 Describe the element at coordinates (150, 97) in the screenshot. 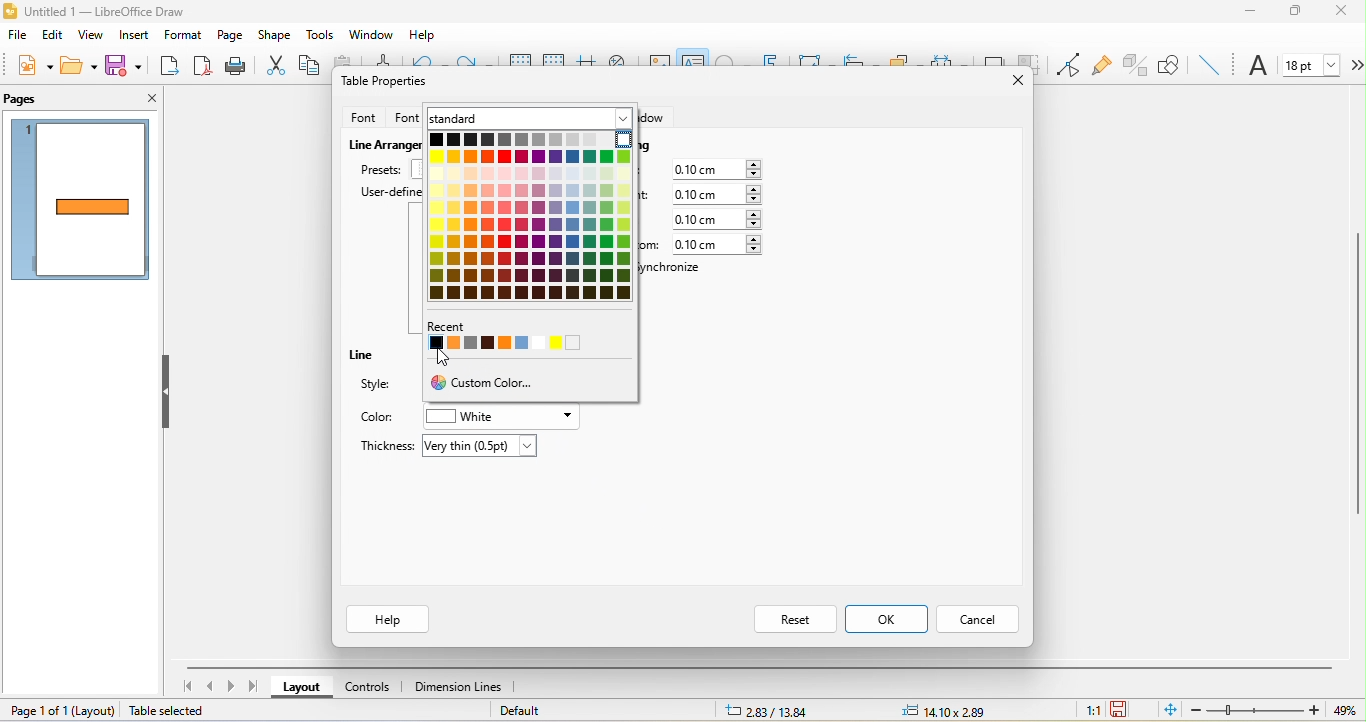

I see `close` at that location.